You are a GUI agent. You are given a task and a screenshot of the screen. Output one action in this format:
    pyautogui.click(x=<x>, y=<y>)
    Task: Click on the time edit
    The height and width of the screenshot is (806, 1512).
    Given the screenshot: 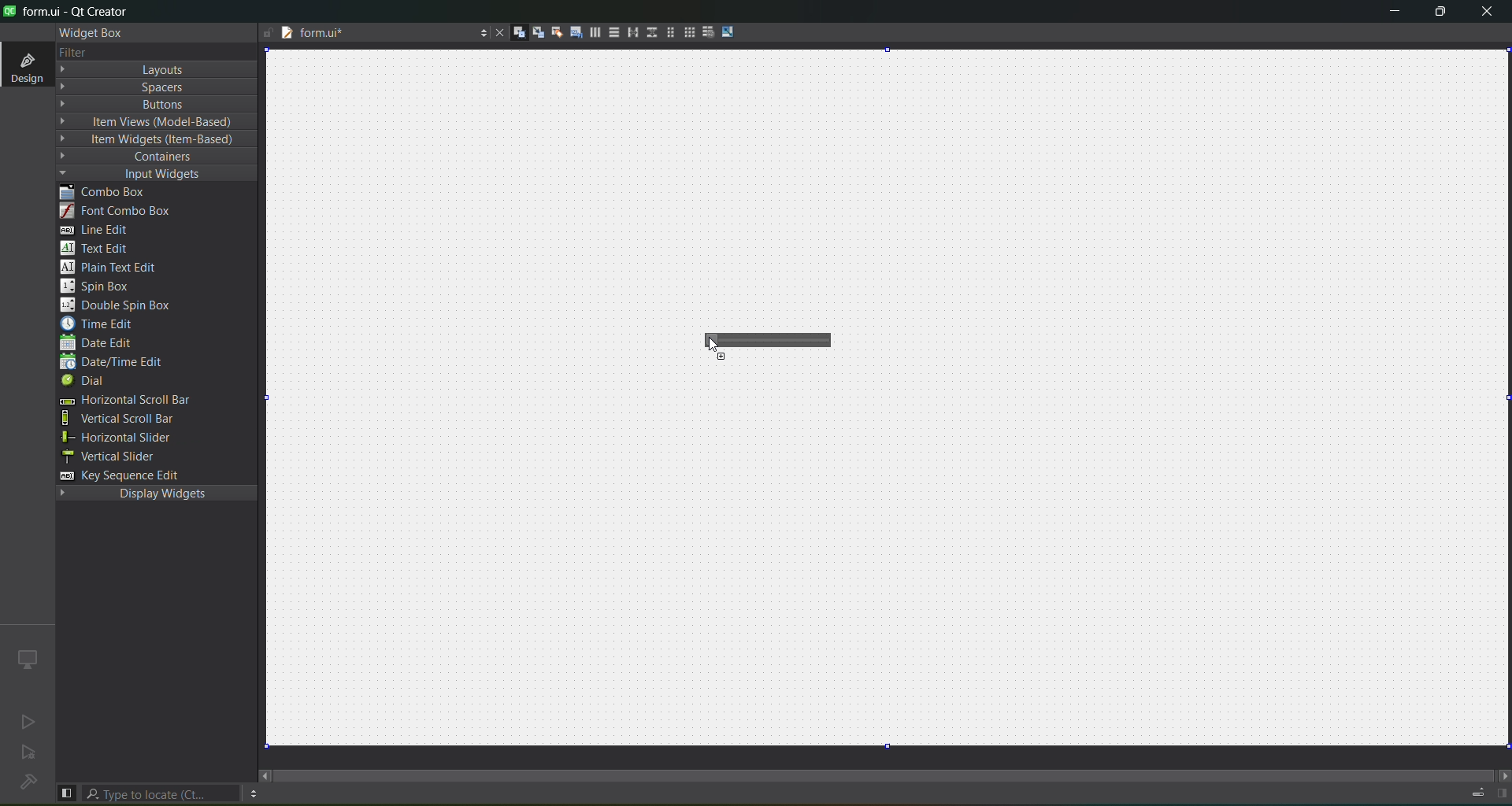 What is the action you would take?
    pyautogui.click(x=104, y=325)
    